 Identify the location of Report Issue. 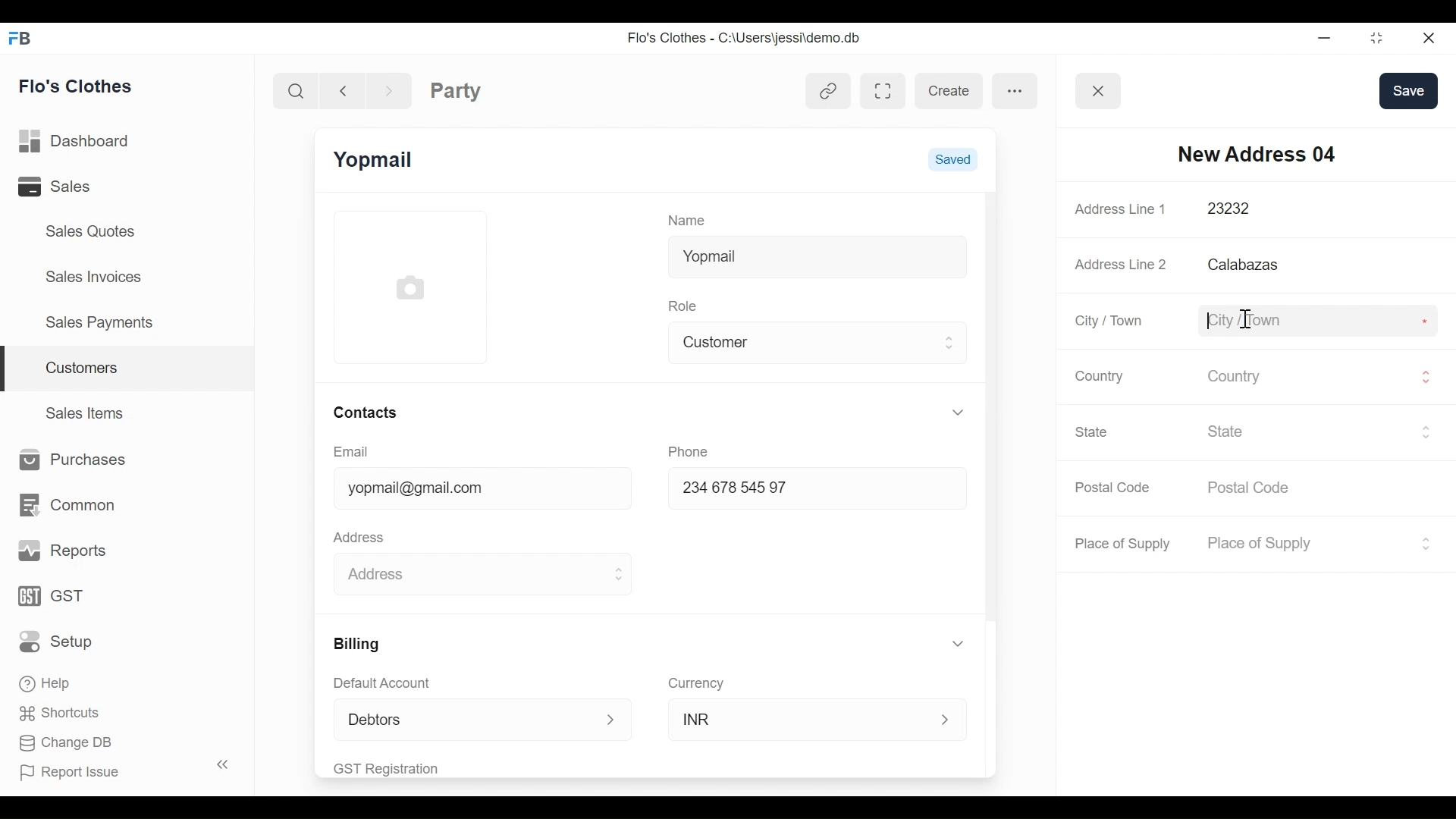
(117, 769).